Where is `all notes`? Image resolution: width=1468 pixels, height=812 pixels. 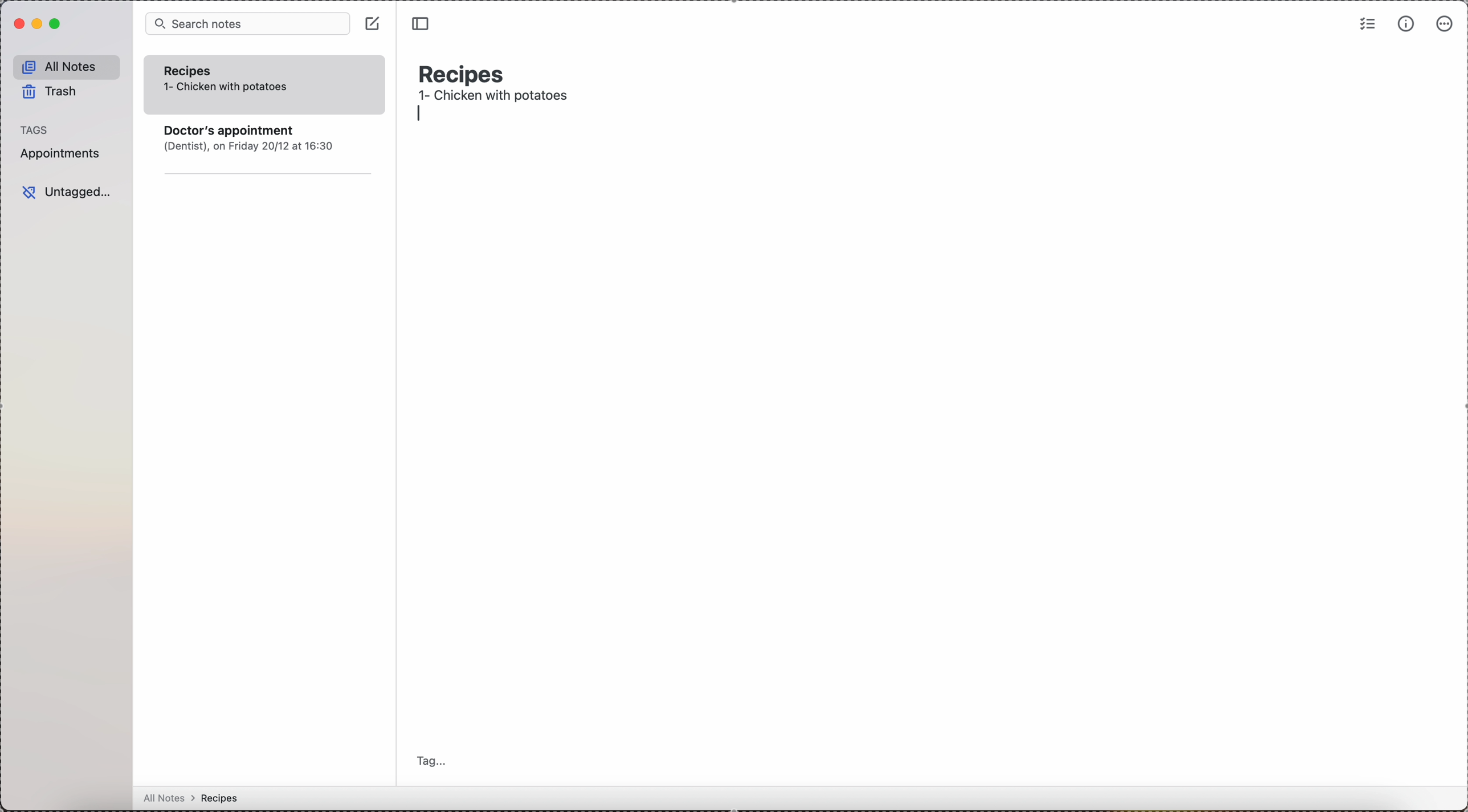
all notes is located at coordinates (67, 66).